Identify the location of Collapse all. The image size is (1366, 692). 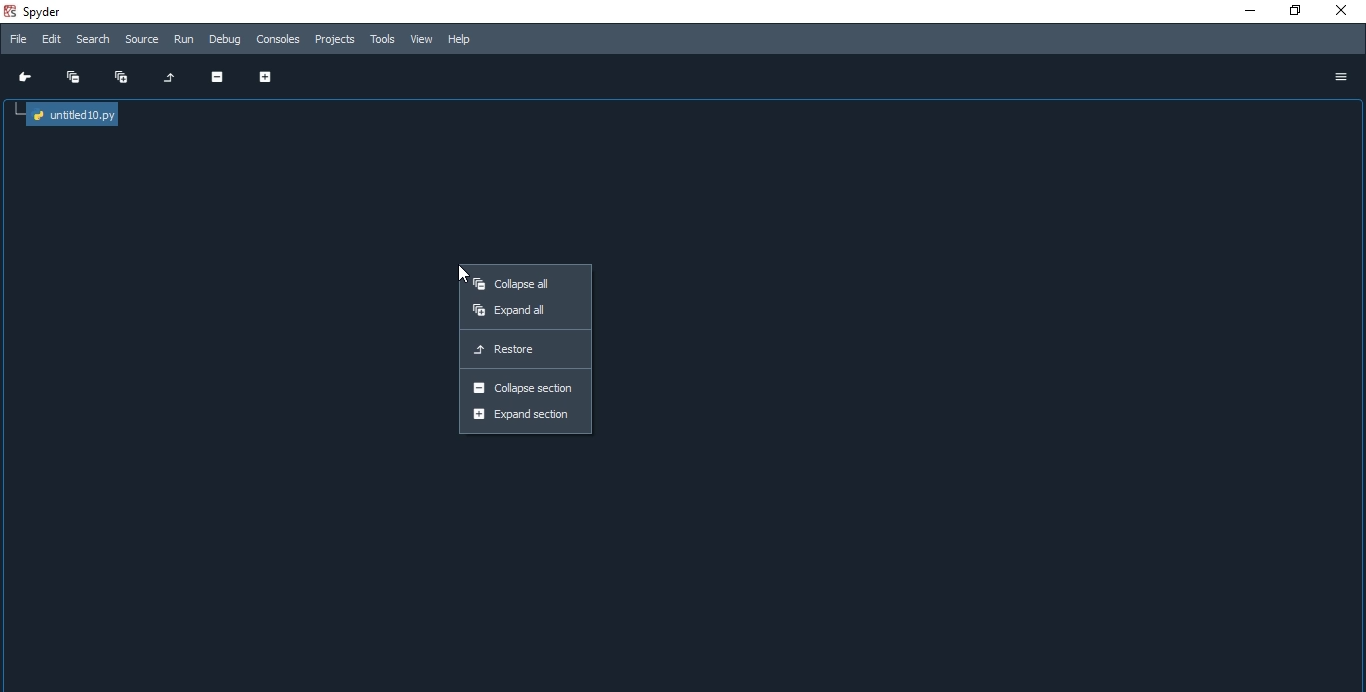
(68, 77).